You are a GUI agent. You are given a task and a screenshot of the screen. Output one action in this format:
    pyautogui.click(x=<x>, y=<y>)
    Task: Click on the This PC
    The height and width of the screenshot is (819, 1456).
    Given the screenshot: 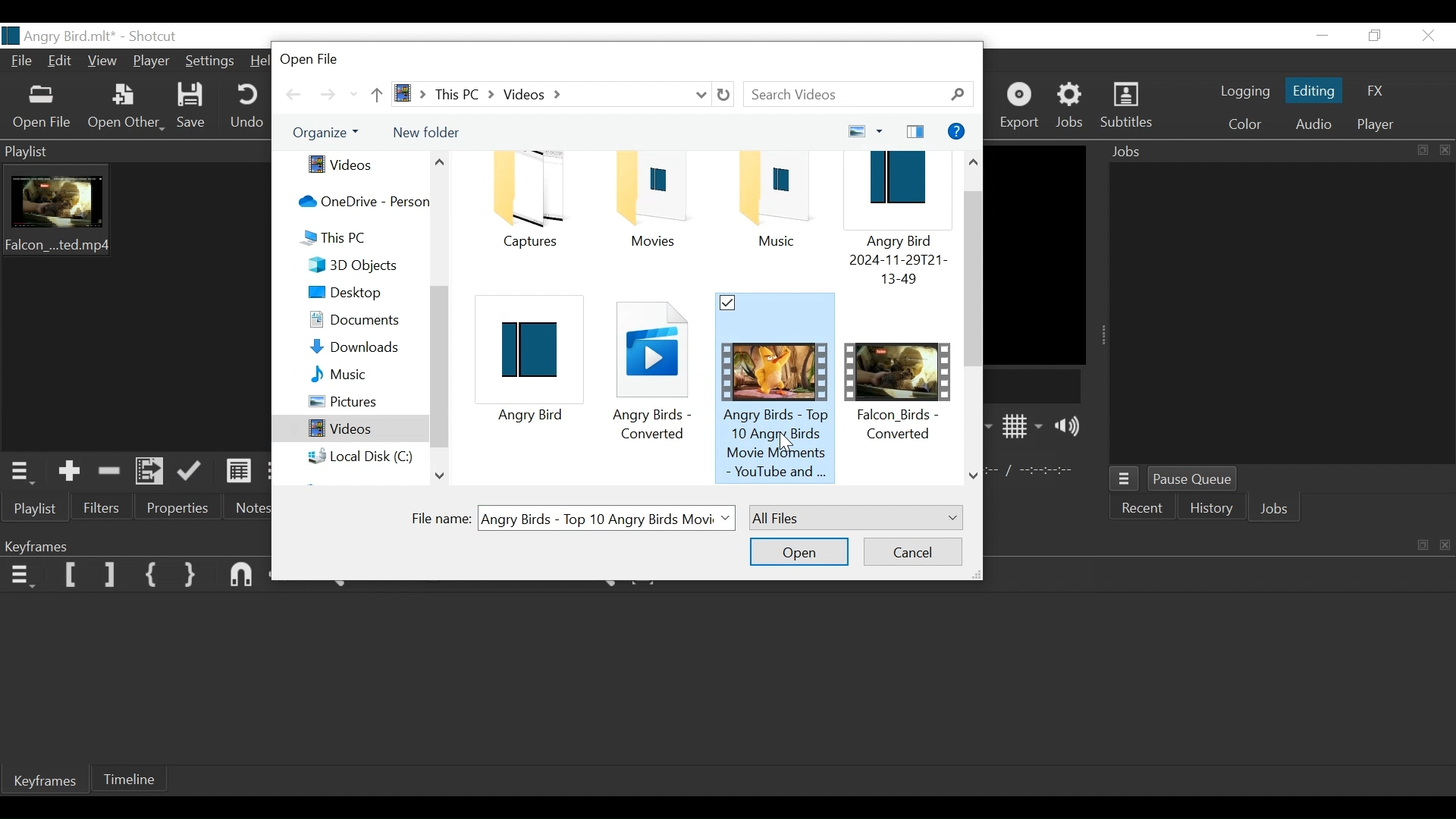 What is the action you would take?
    pyautogui.click(x=359, y=237)
    